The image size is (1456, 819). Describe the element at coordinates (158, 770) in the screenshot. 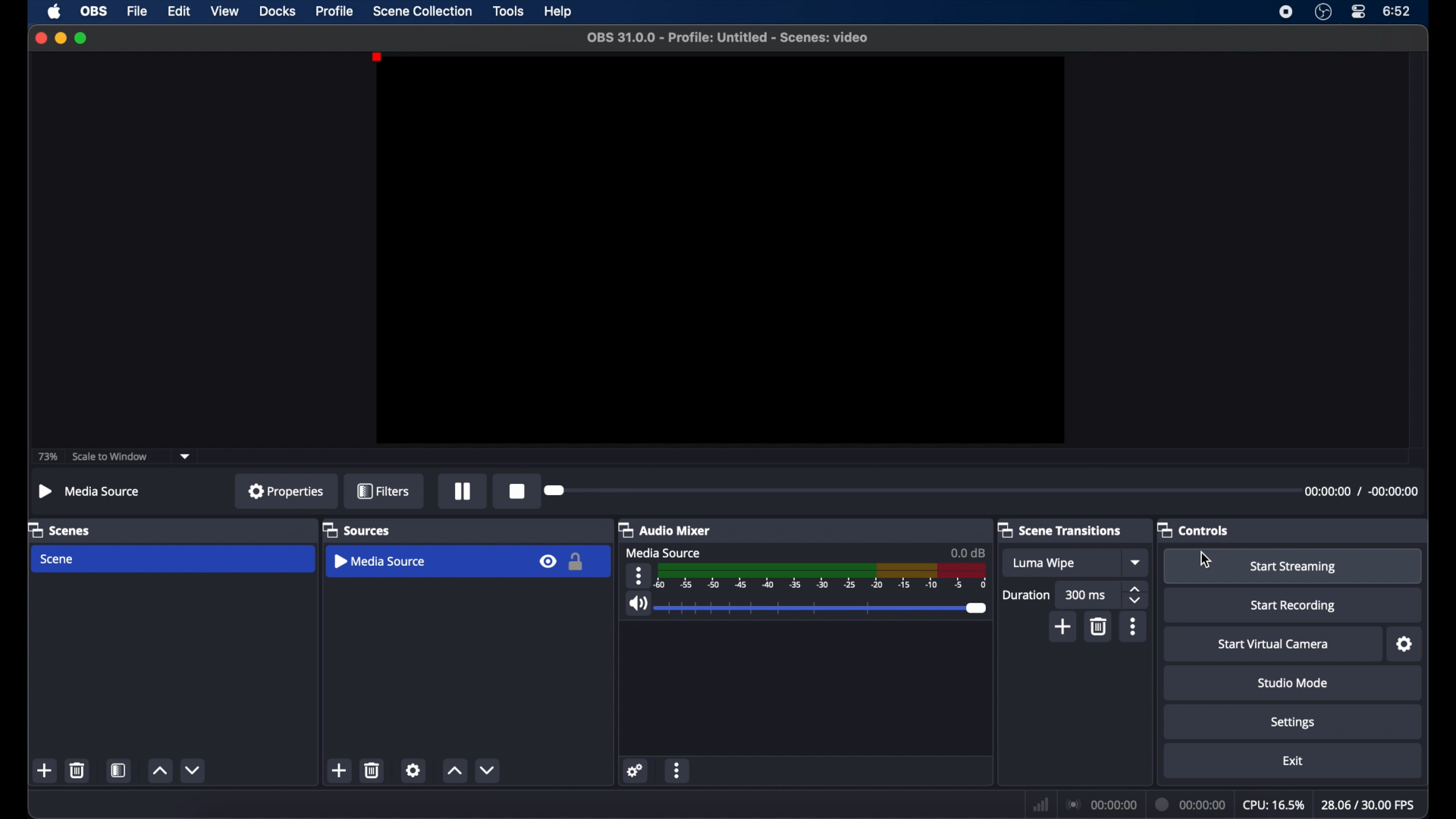

I see `increment` at that location.